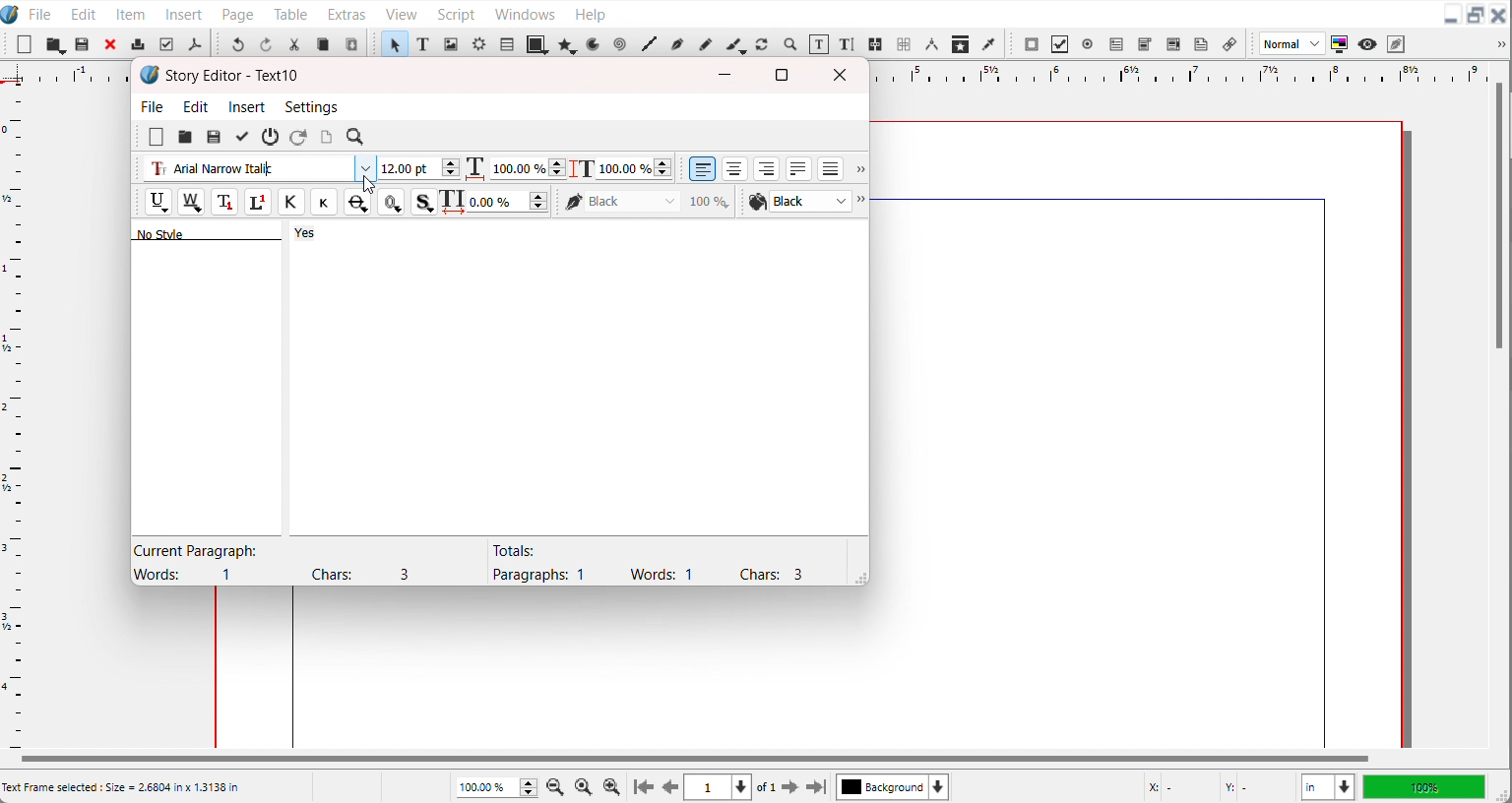 The width and height of the screenshot is (1512, 803). Describe the element at coordinates (294, 44) in the screenshot. I see `Cut` at that location.